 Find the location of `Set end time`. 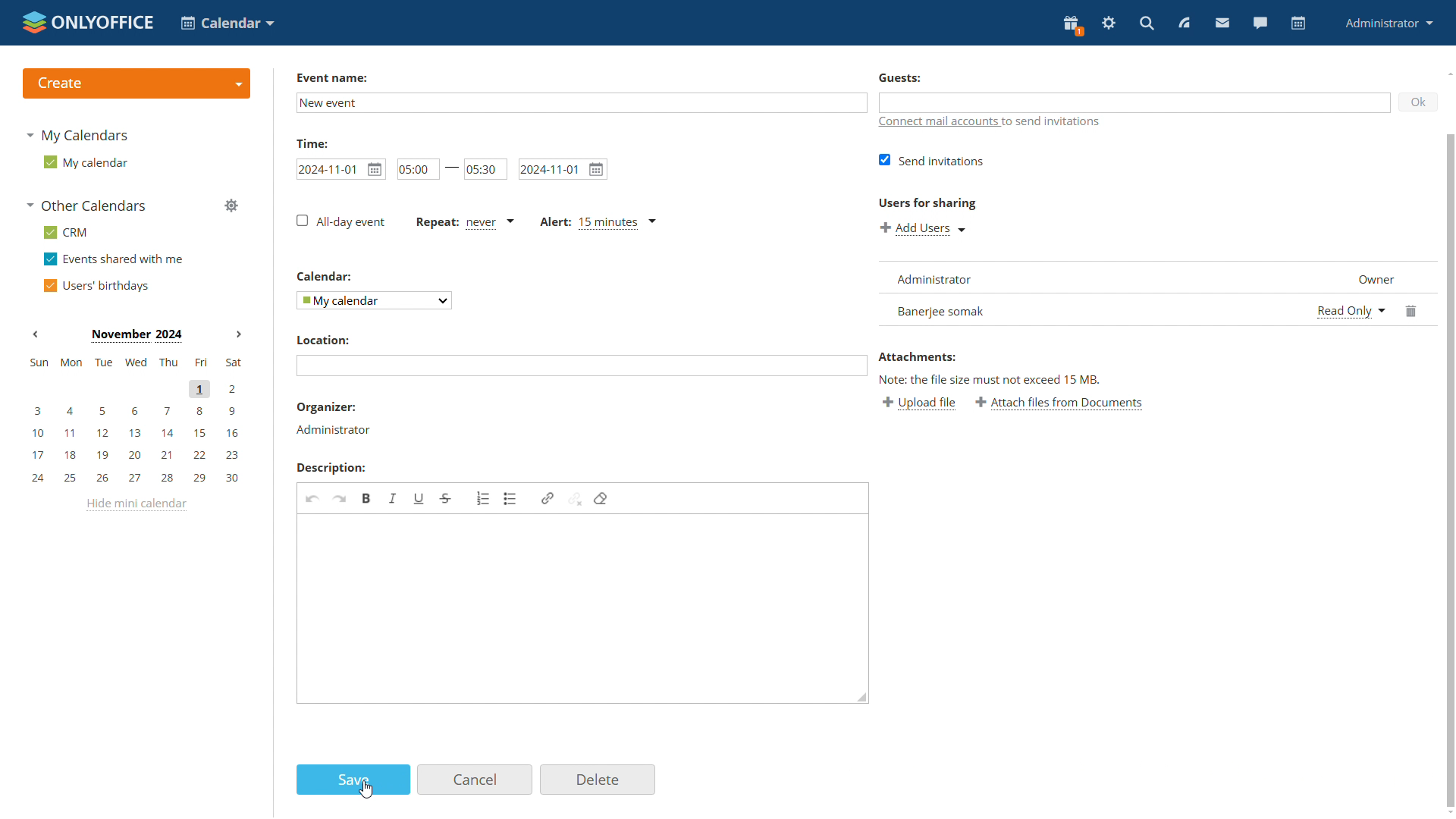

Set end time is located at coordinates (485, 168).